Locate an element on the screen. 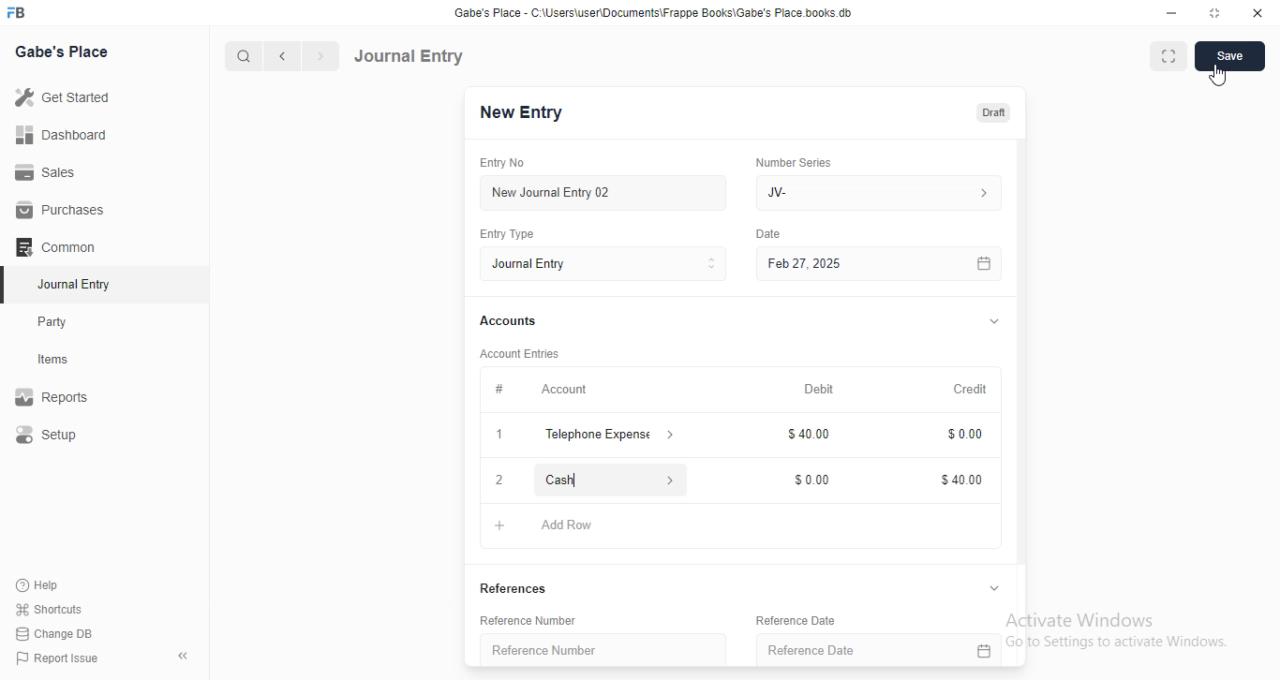 The width and height of the screenshot is (1280, 680). Draft is located at coordinates (989, 112).